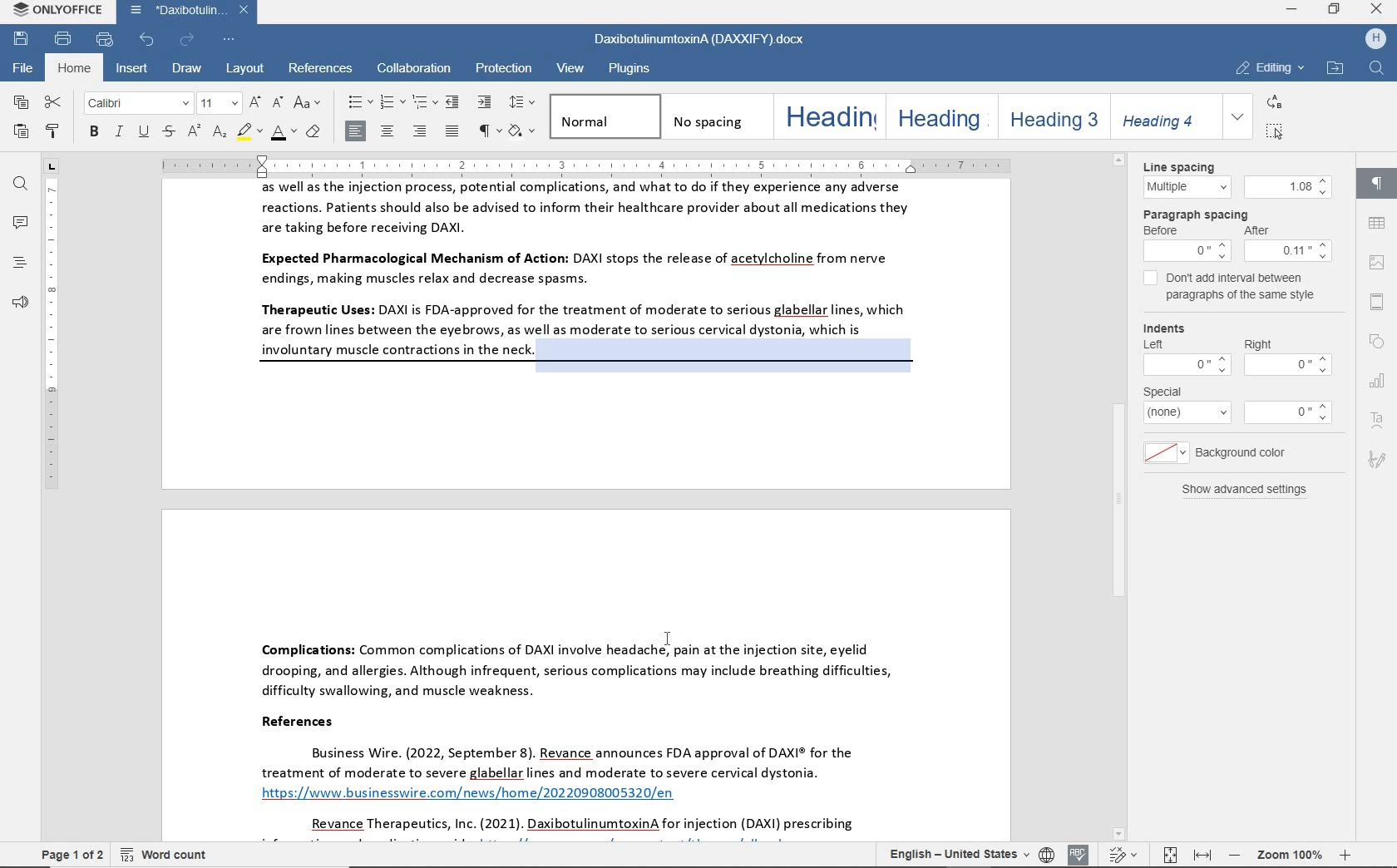 The width and height of the screenshot is (1397, 868). Describe the element at coordinates (1126, 854) in the screenshot. I see `track changes` at that location.